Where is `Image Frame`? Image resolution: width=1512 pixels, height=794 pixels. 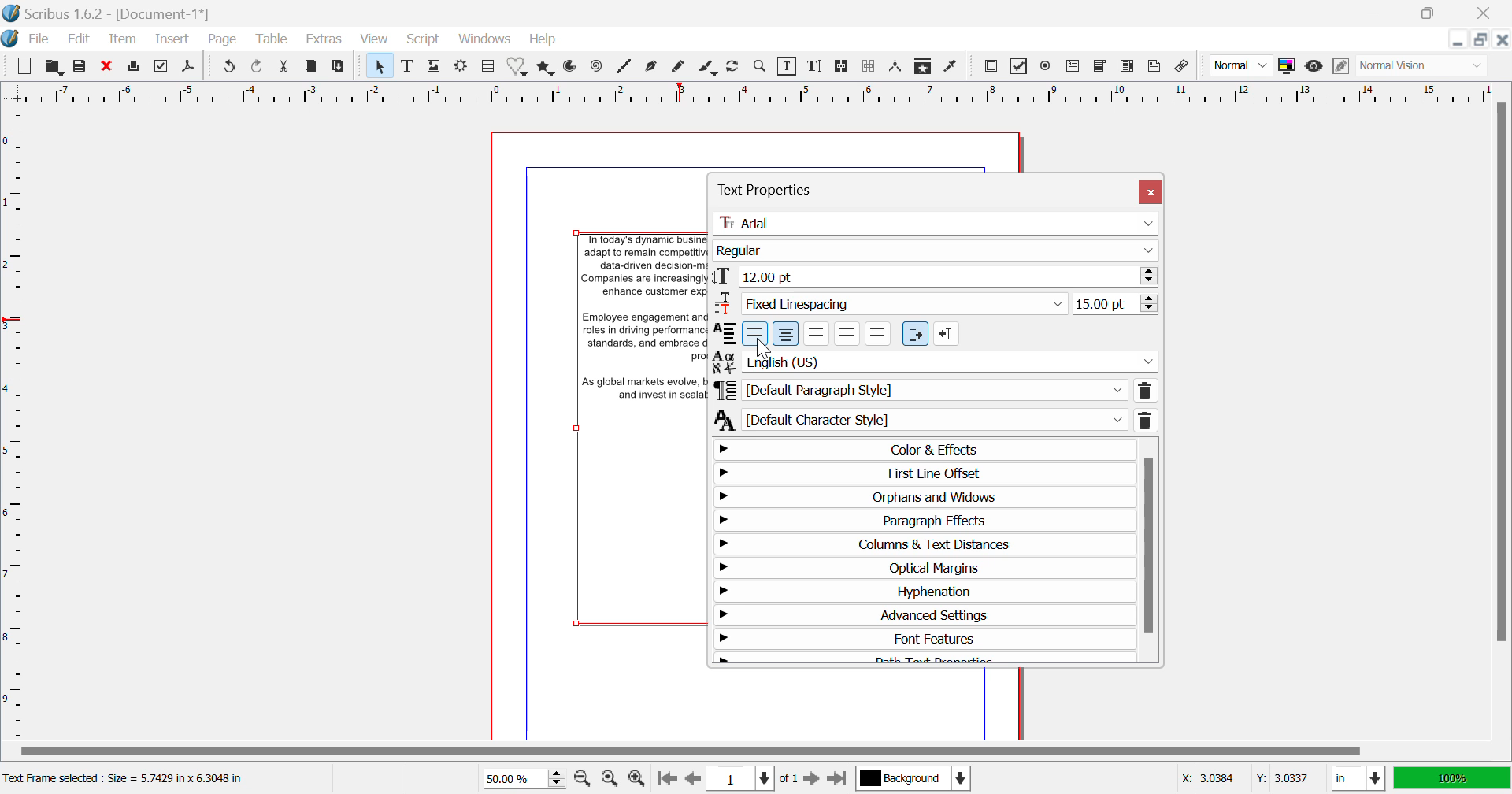 Image Frame is located at coordinates (435, 66).